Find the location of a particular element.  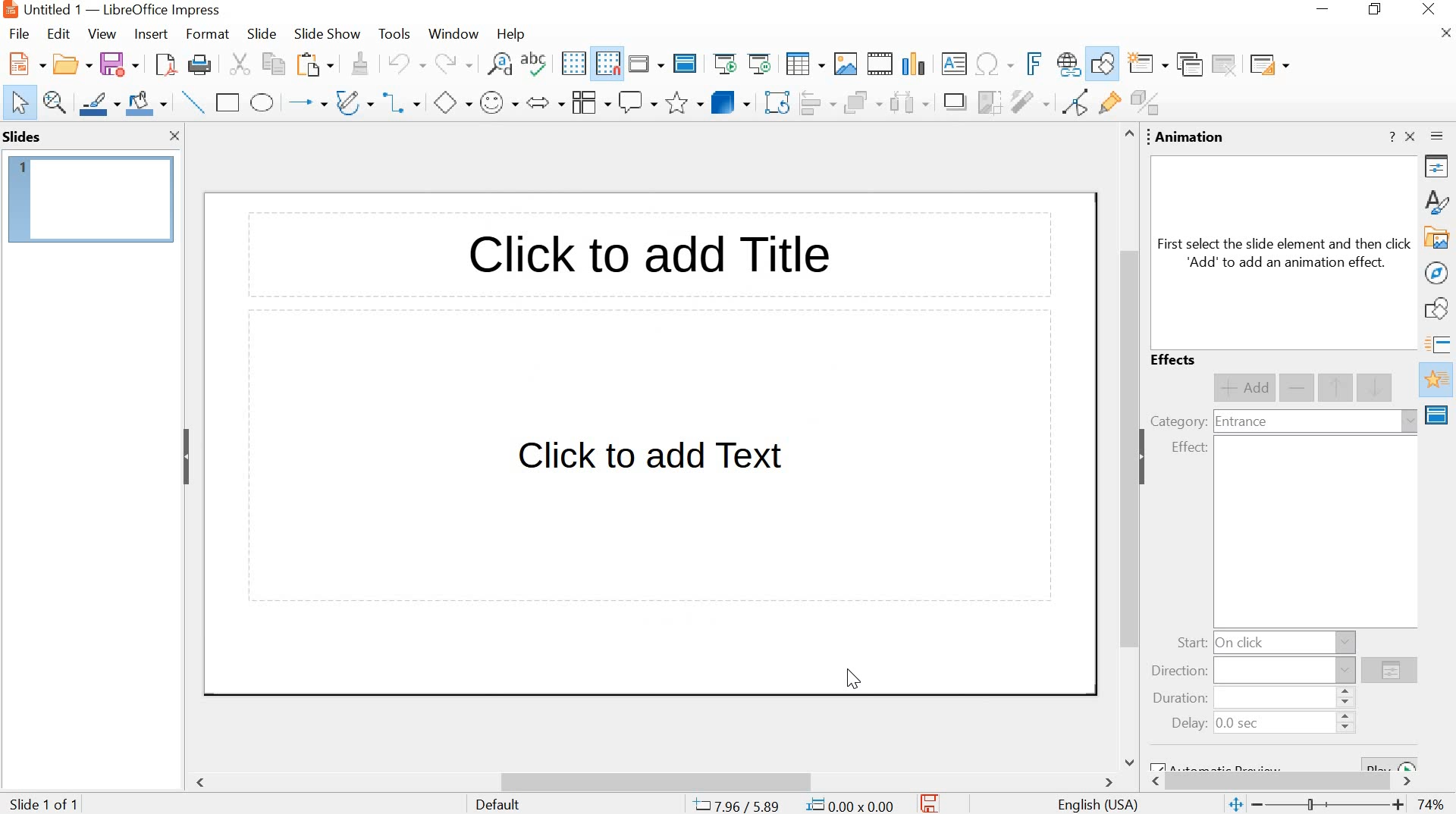

delete slide is located at coordinates (1225, 64).